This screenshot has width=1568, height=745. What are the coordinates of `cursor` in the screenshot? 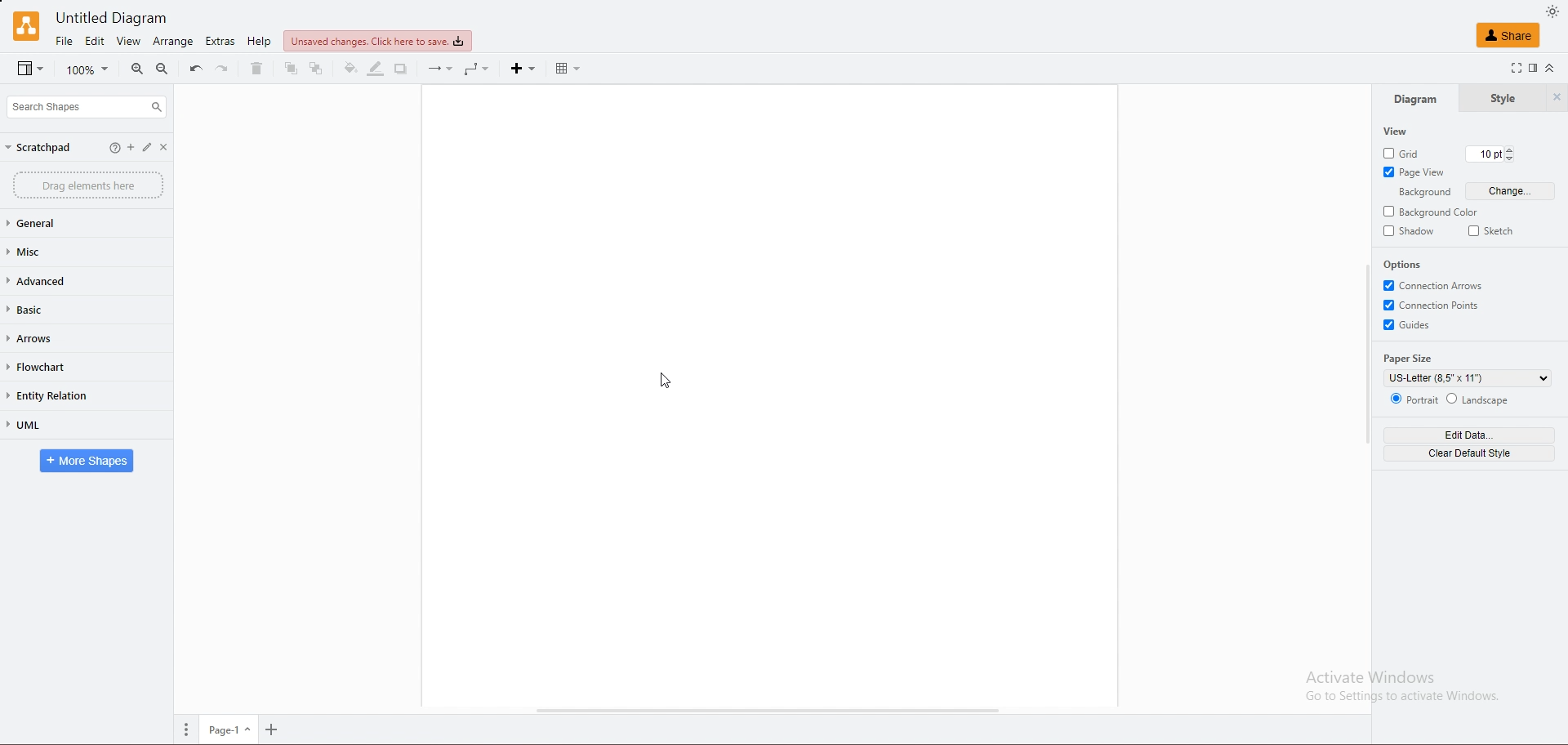 It's located at (661, 381).